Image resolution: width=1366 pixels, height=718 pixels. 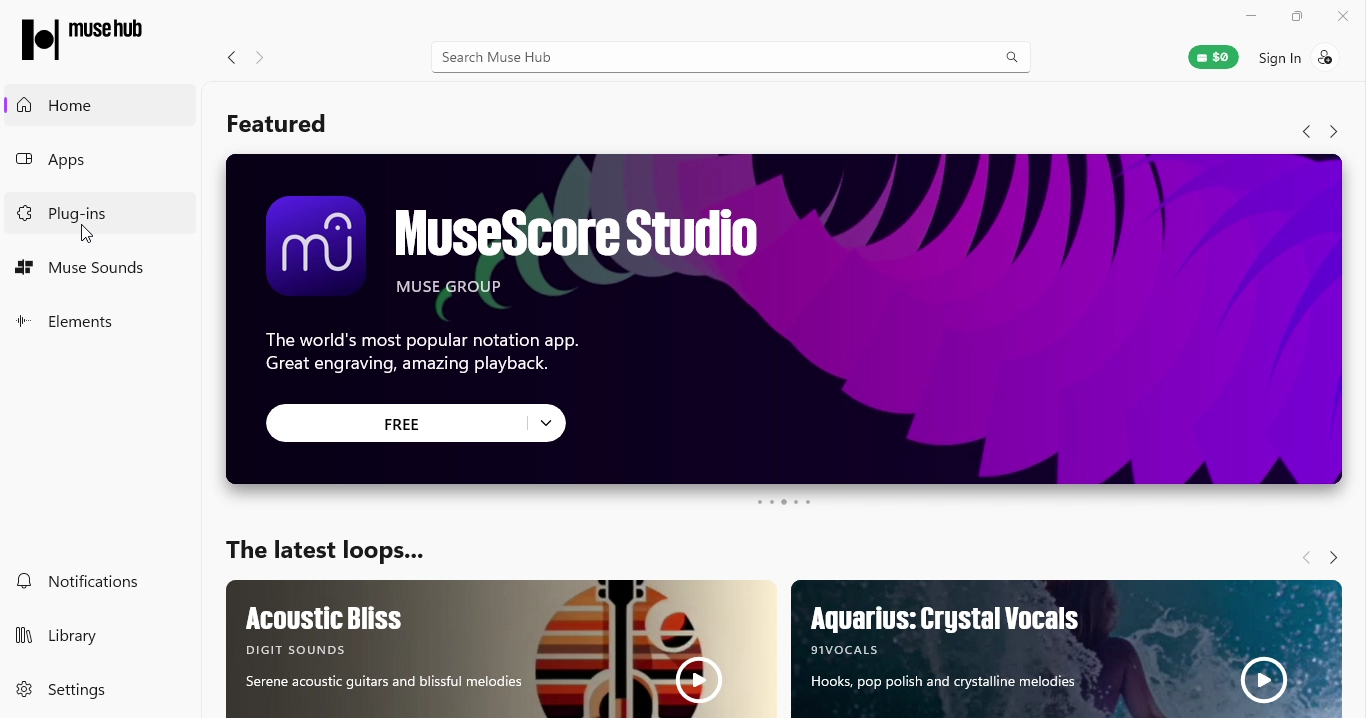 What do you see at coordinates (103, 209) in the screenshot?
I see `Plug-ins` at bounding box center [103, 209].